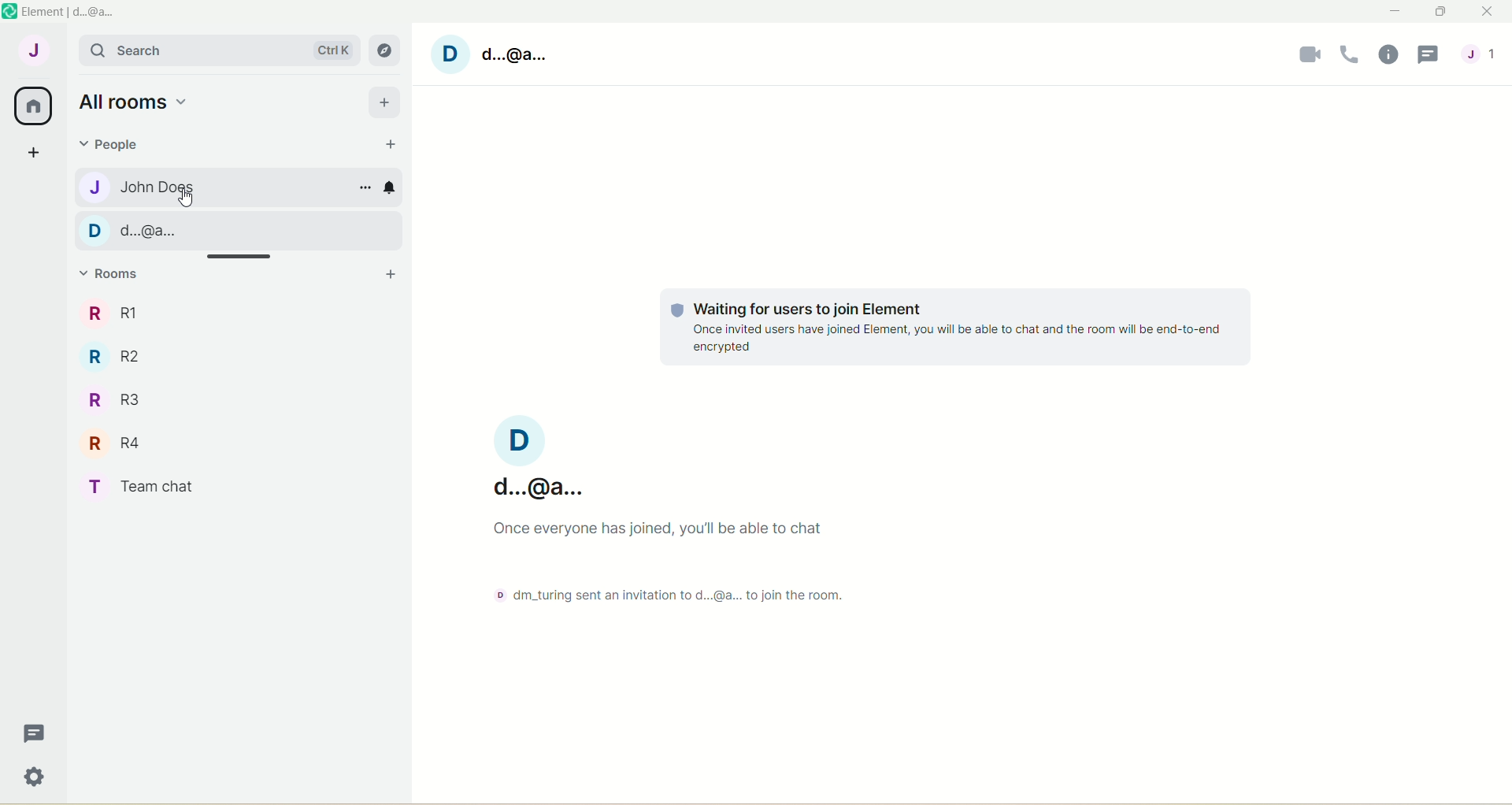 This screenshot has height=805, width=1512. Describe the element at coordinates (123, 444) in the screenshot. I see `R R4` at that location.